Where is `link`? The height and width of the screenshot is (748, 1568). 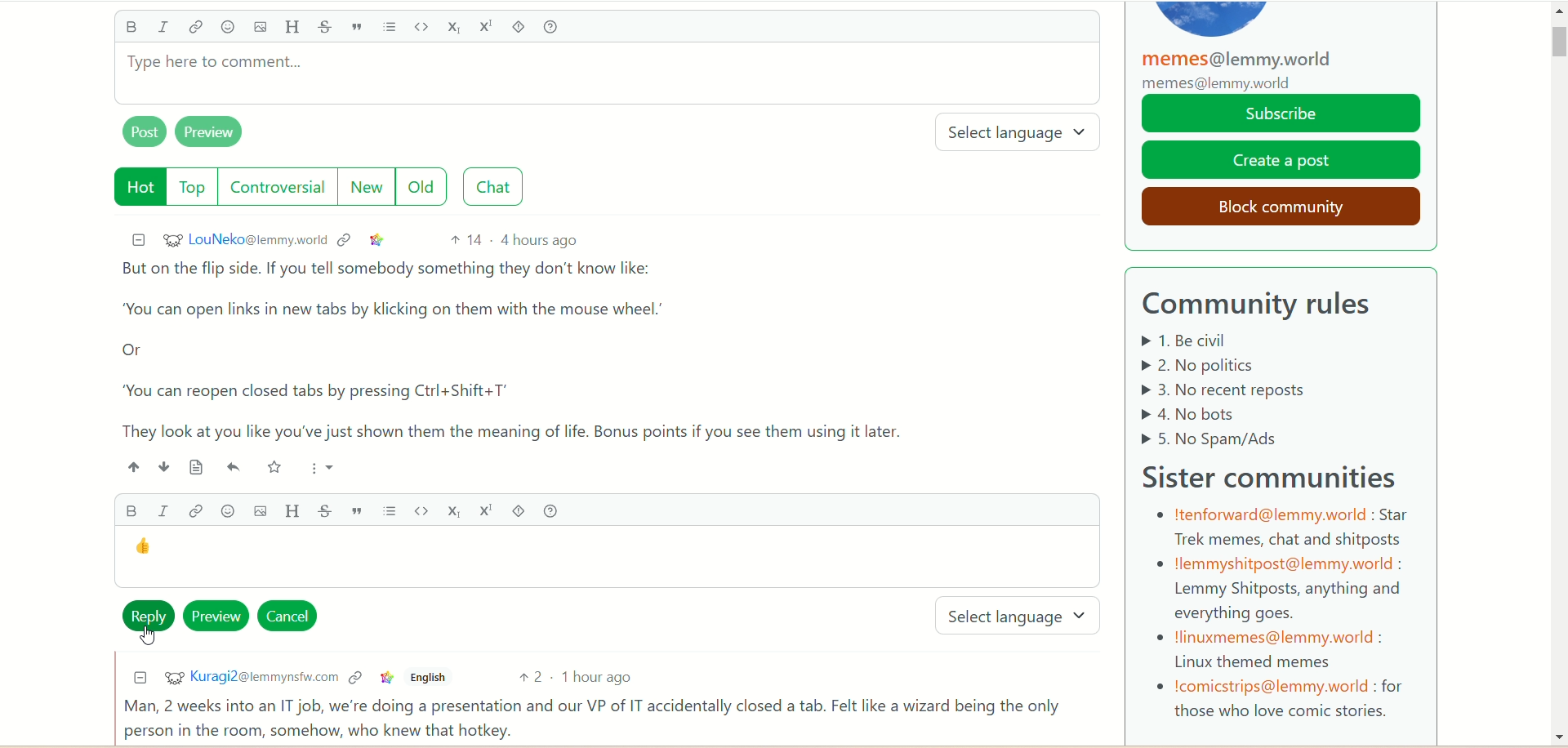
link is located at coordinates (377, 239).